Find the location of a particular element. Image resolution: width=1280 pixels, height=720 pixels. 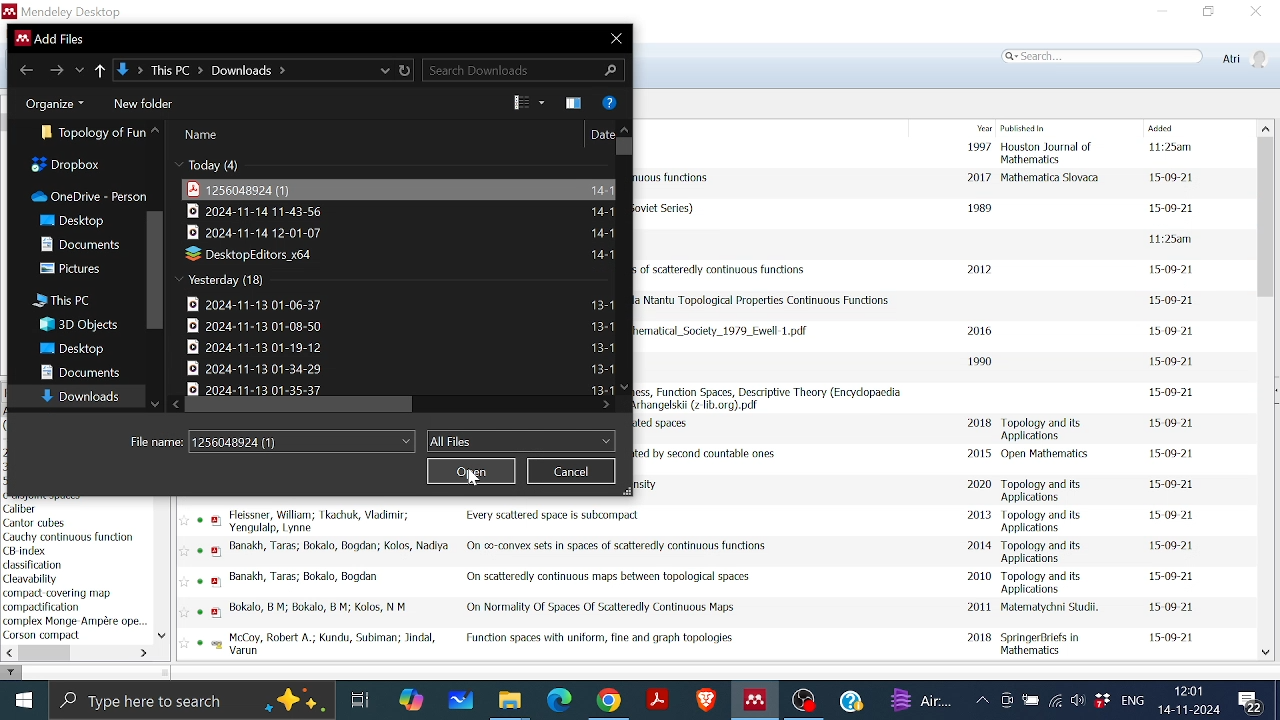

Title is located at coordinates (597, 638).